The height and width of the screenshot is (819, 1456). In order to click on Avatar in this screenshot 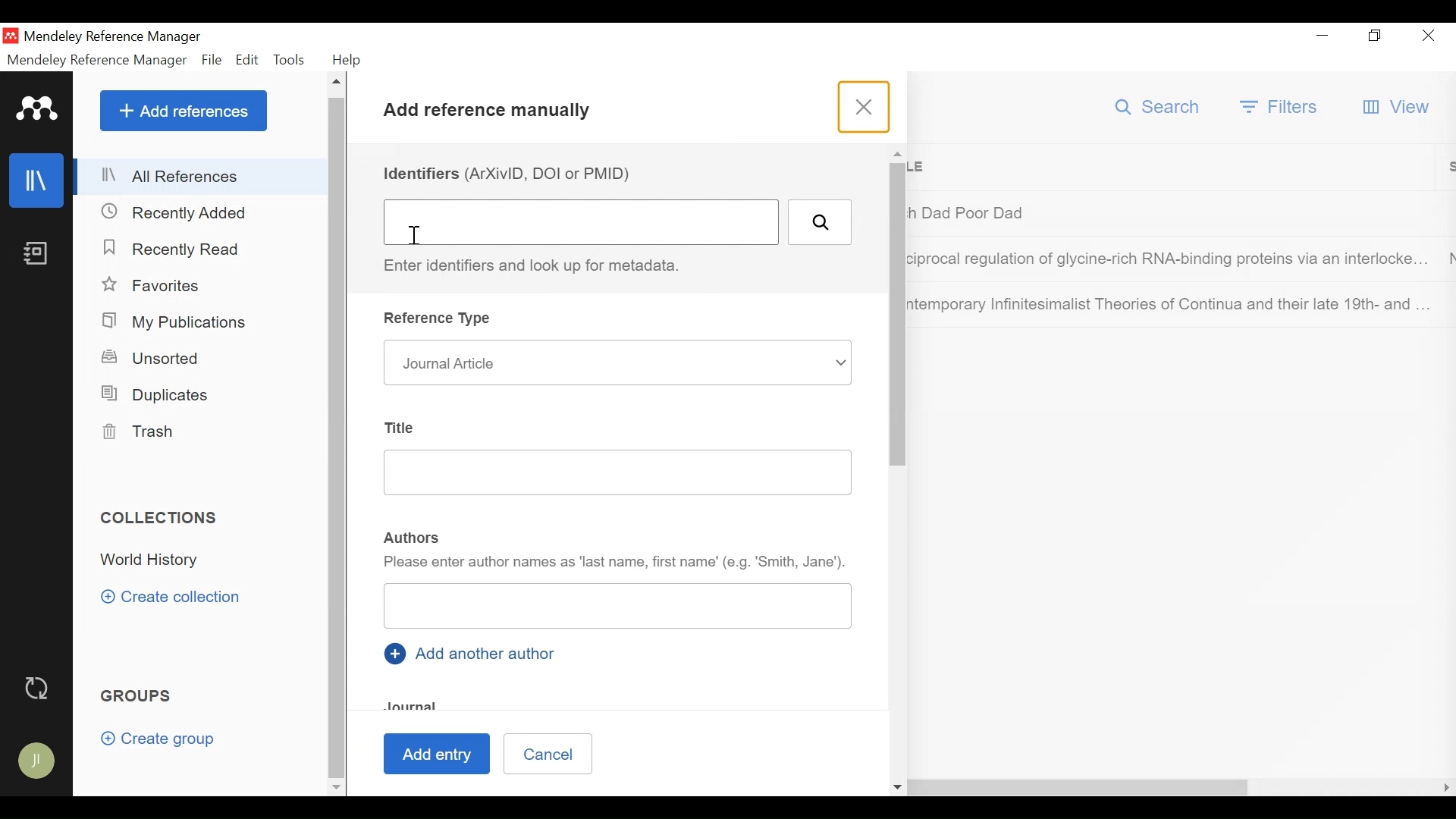, I will do `click(36, 761)`.